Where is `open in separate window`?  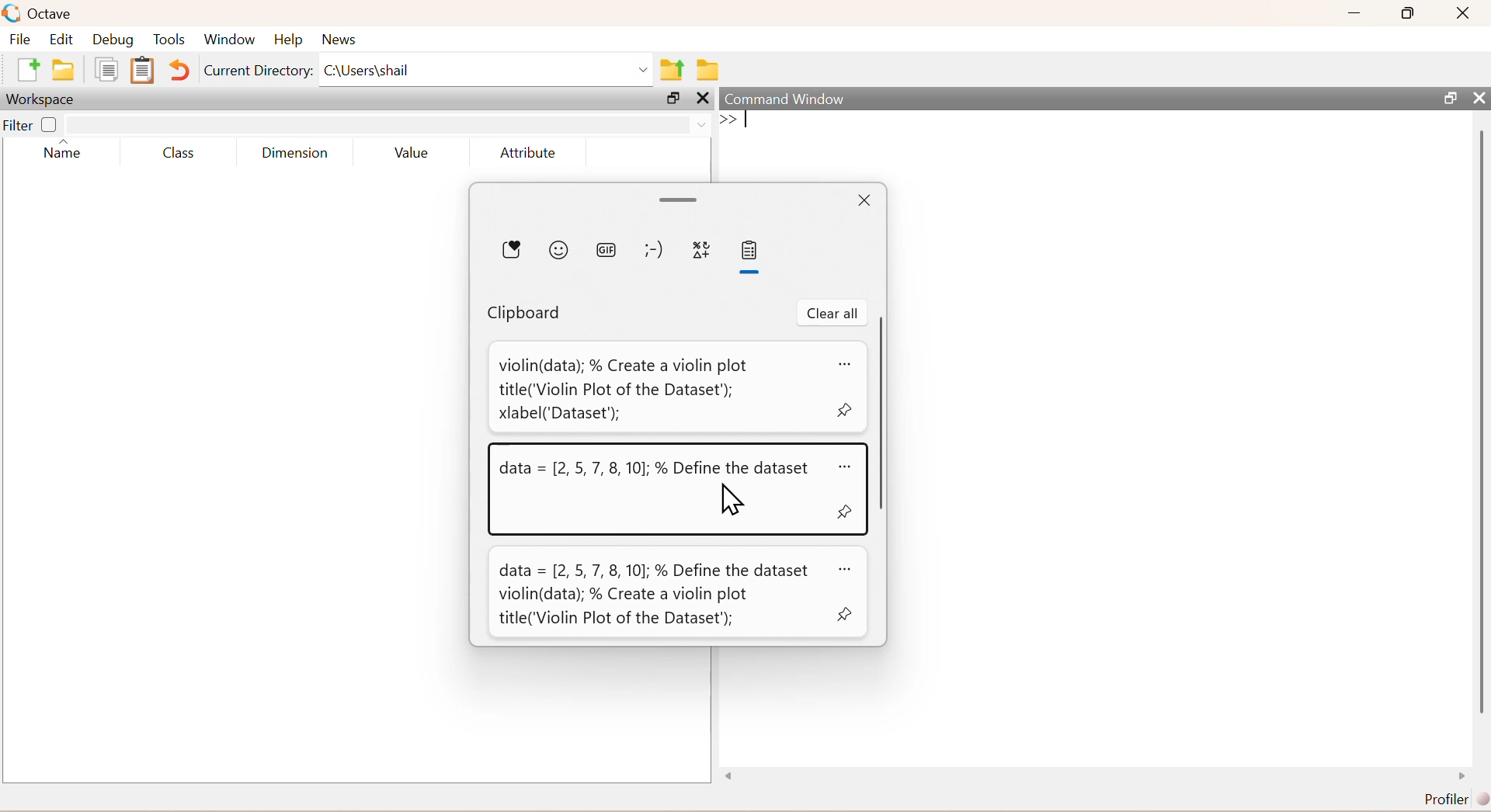
open in separate window is located at coordinates (1451, 98).